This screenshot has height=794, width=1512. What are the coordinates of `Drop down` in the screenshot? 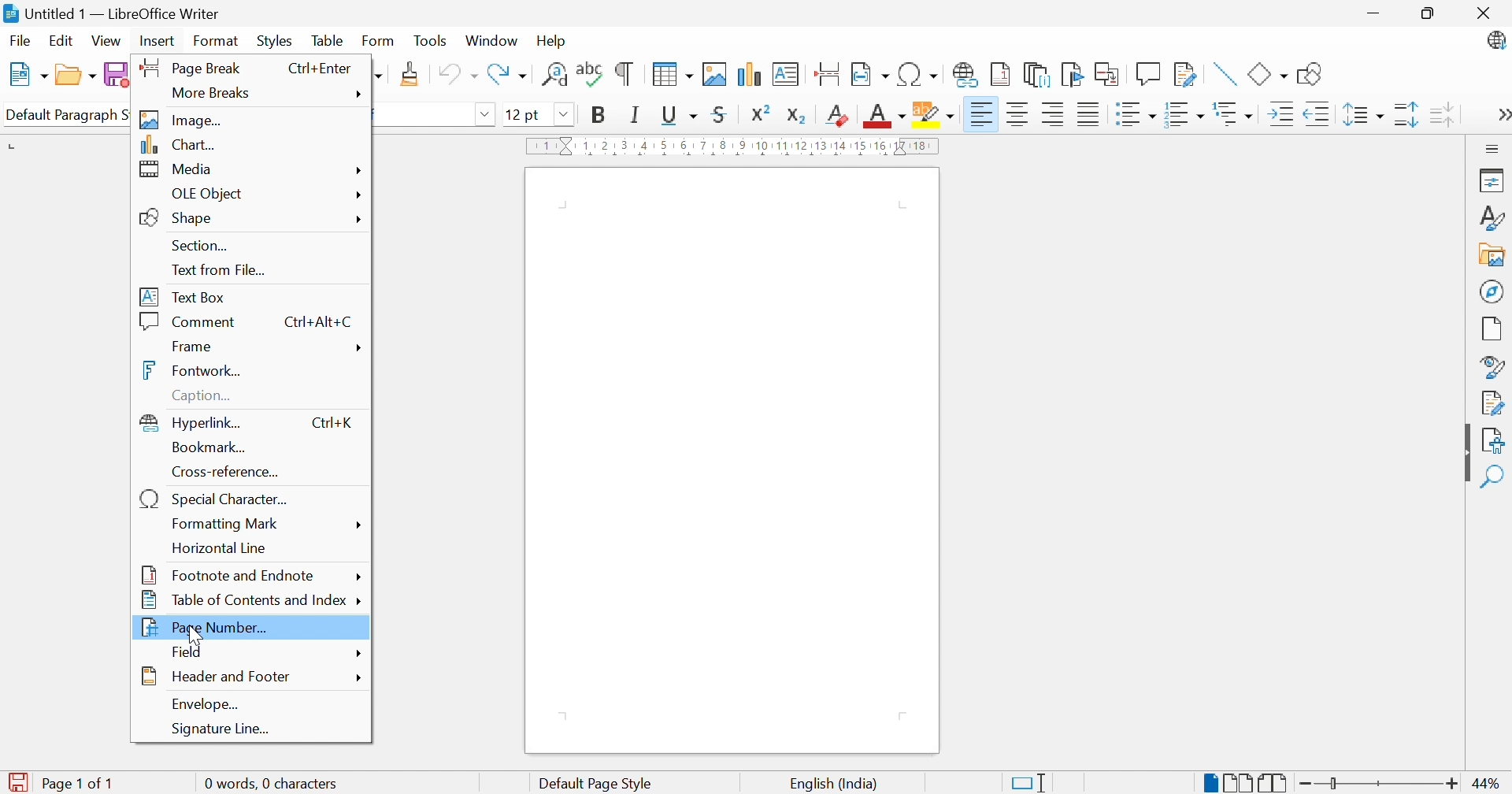 It's located at (566, 115).